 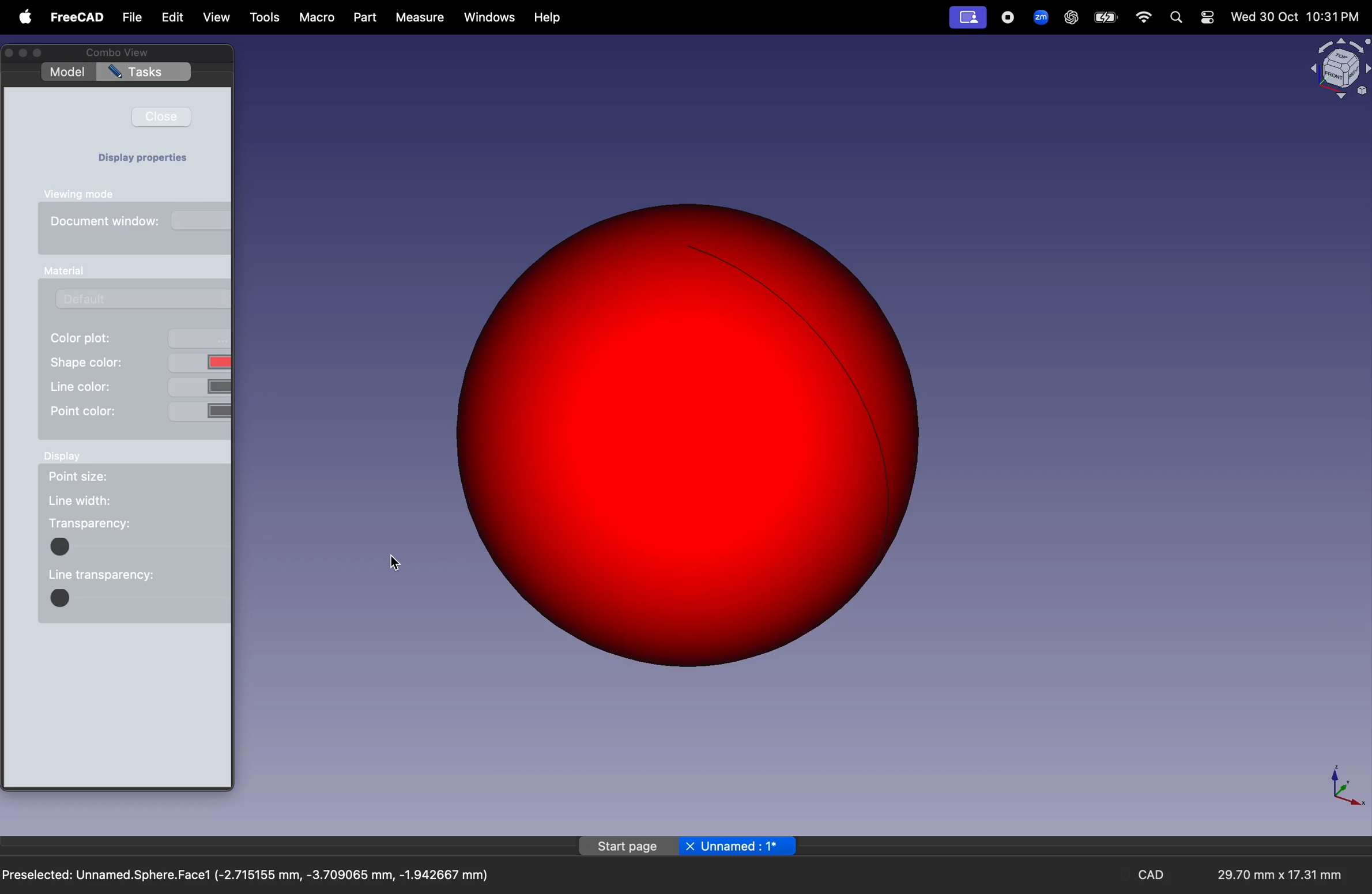 What do you see at coordinates (1175, 17) in the screenshot?
I see `search` at bounding box center [1175, 17].